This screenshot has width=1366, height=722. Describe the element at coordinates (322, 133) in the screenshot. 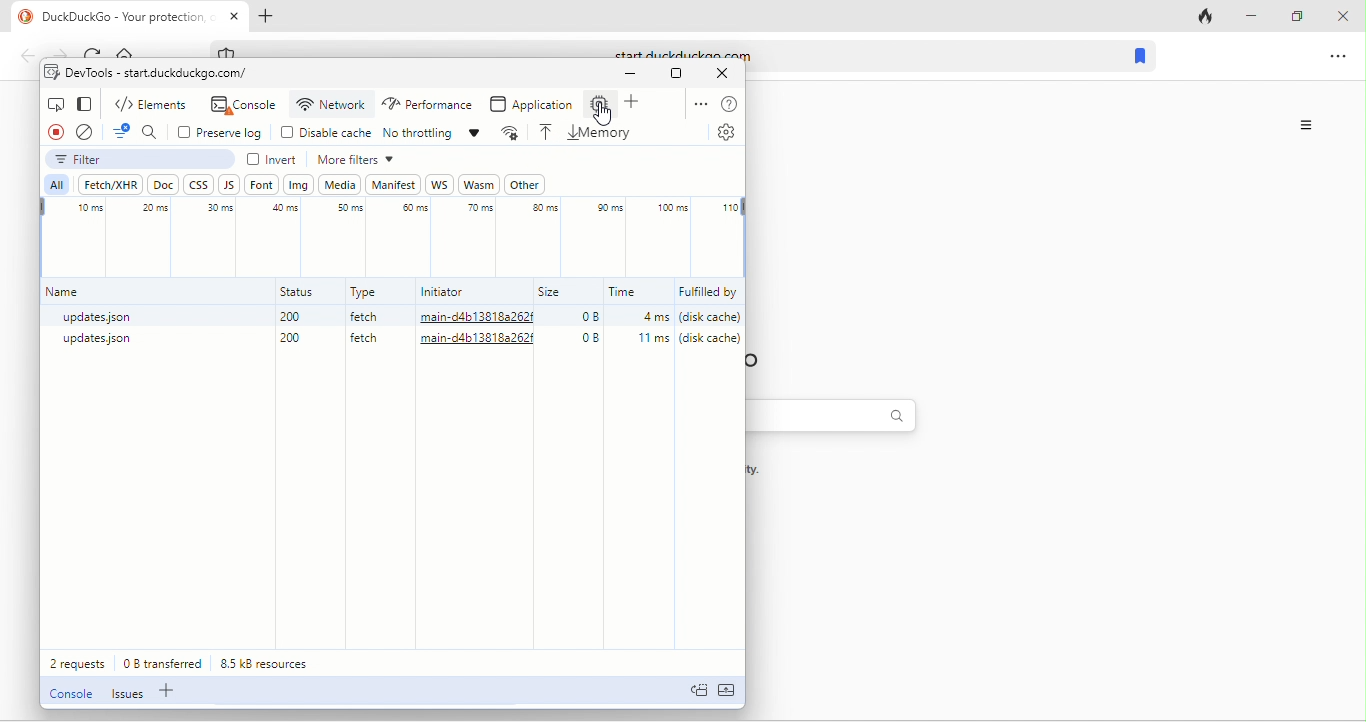

I see `disable cache` at that location.